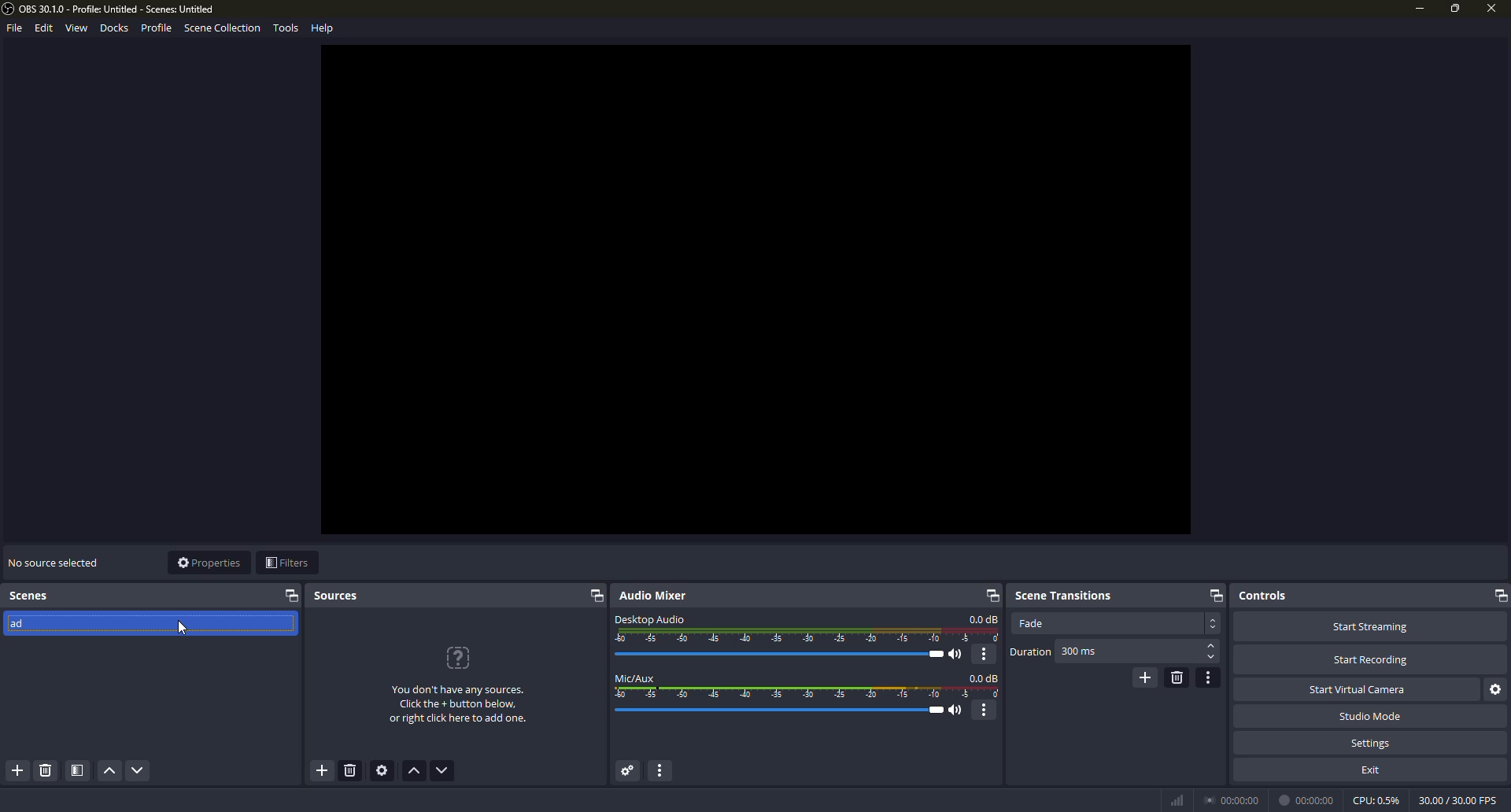 The height and width of the screenshot is (812, 1511). Describe the element at coordinates (292, 596) in the screenshot. I see `expand` at that location.